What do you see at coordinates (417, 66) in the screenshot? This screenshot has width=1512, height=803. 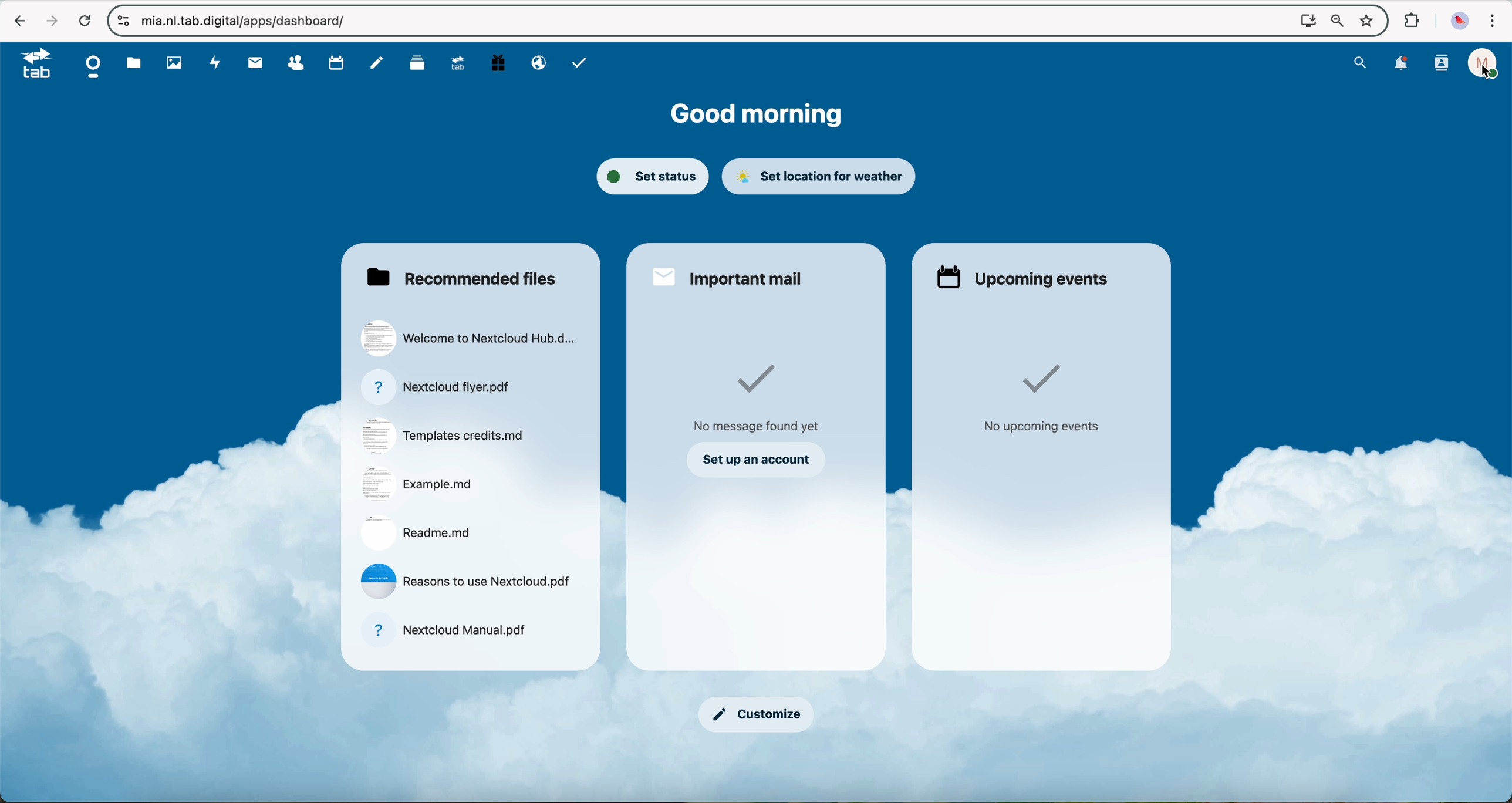 I see `deck` at bounding box center [417, 66].